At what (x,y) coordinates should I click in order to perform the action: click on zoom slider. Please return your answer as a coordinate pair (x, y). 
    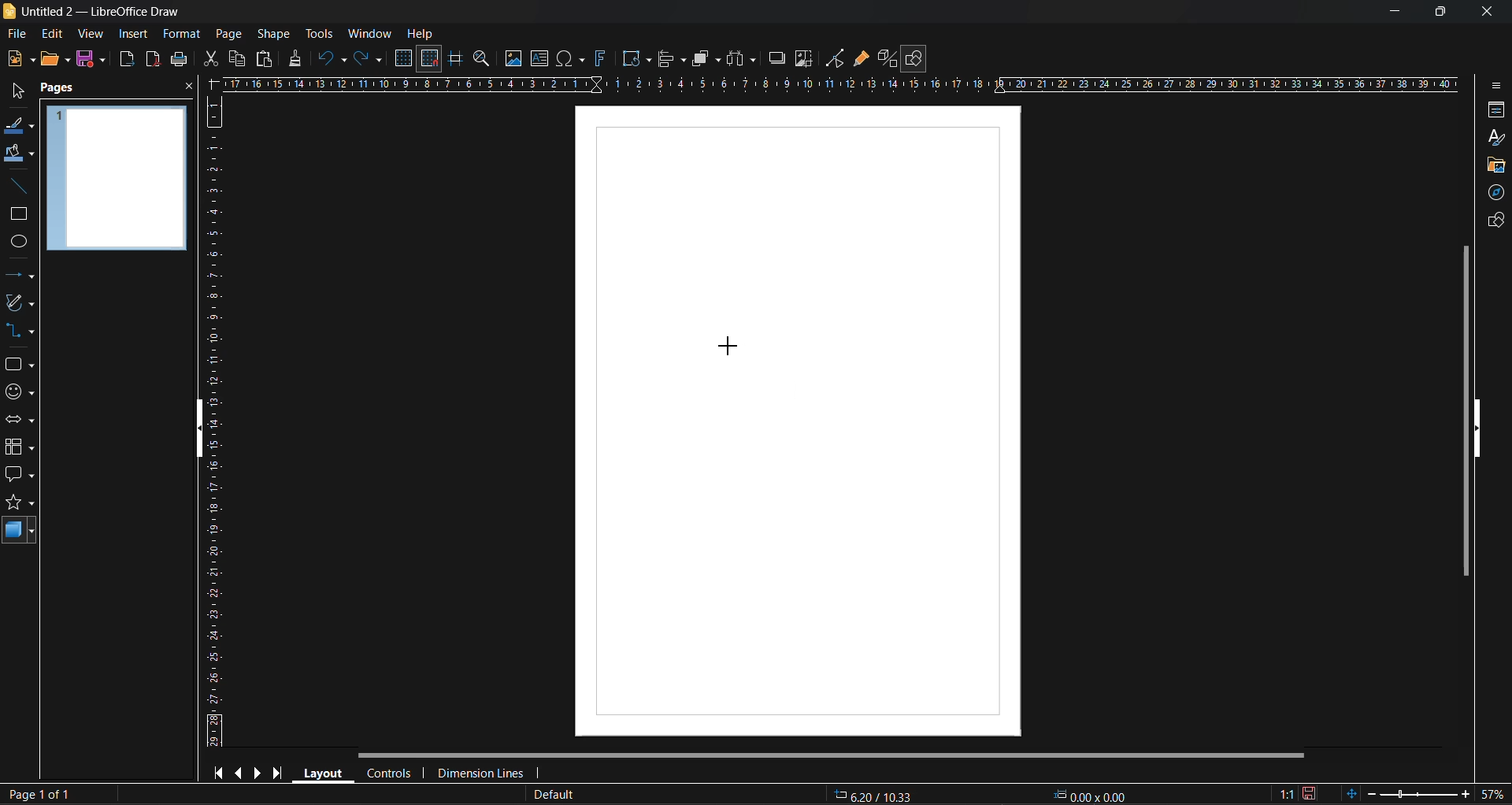
    Looking at the image, I should click on (1418, 793).